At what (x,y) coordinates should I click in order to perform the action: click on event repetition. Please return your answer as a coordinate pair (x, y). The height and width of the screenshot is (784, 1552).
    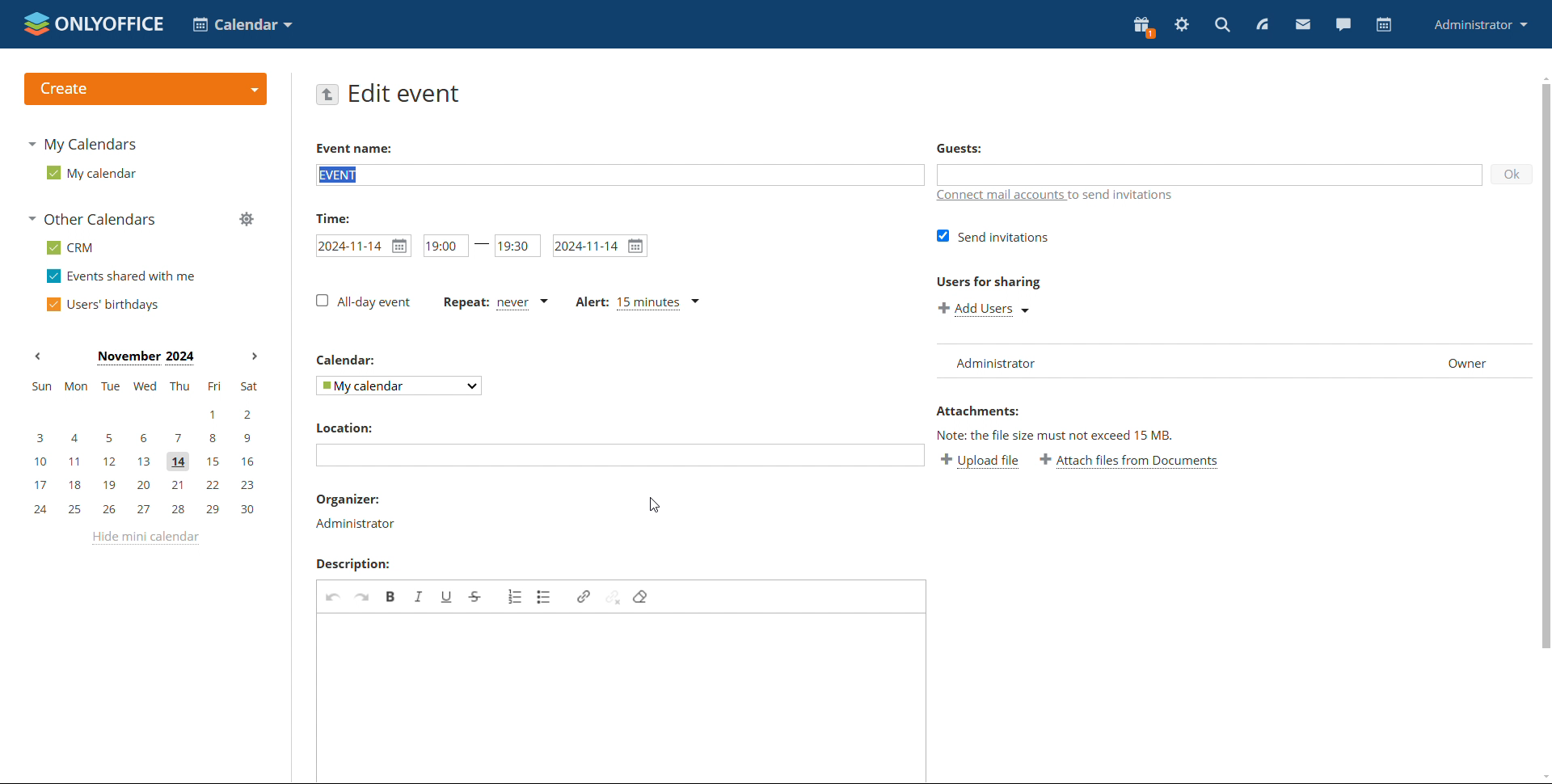
    Looking at the image, I should click on (494, 302).